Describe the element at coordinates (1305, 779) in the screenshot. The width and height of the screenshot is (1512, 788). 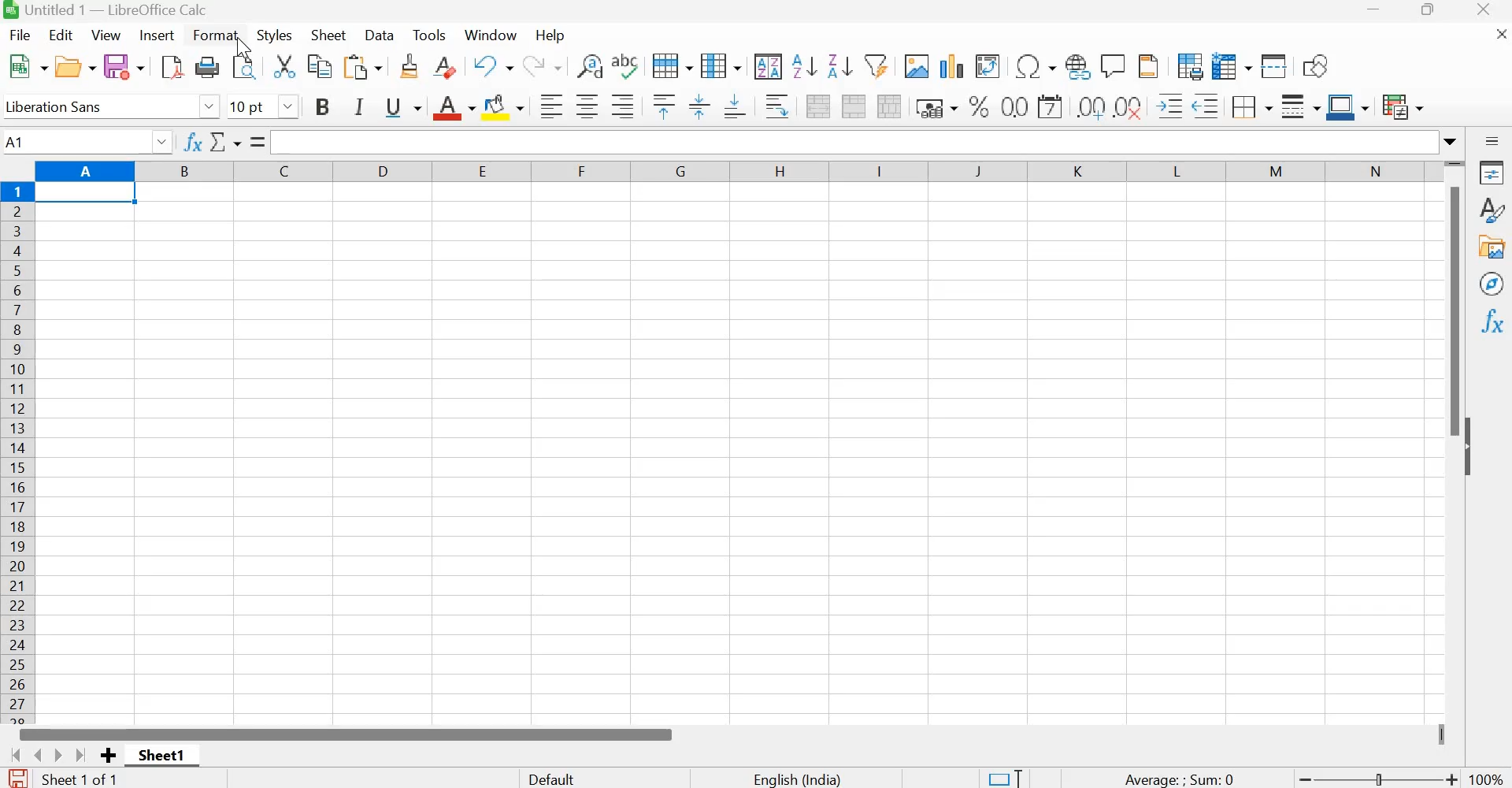
I see `Zoom out` at that location.